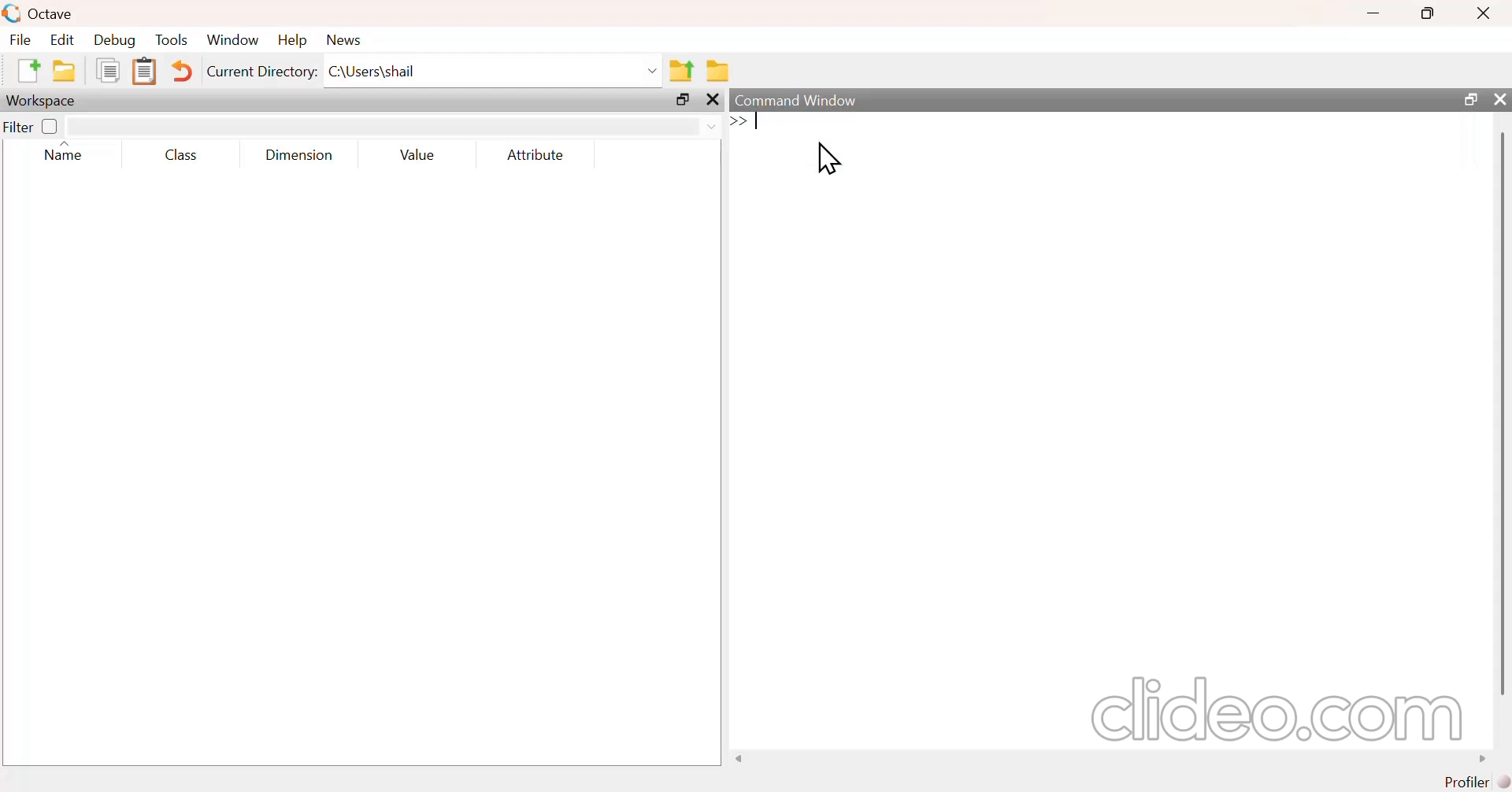  I want to click on maximize, so click(1465, 99).